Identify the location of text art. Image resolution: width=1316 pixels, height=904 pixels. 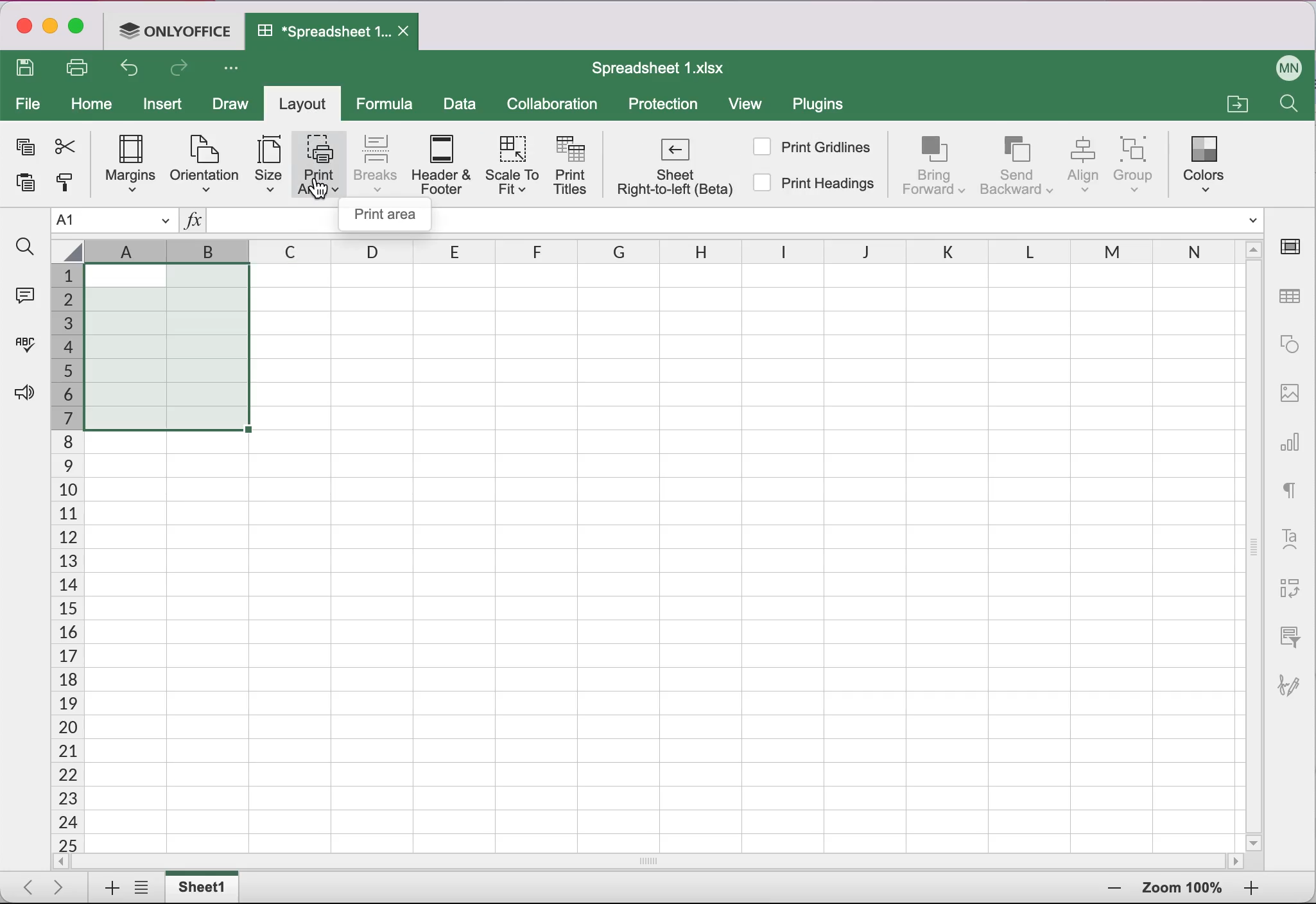
(1290, 537).